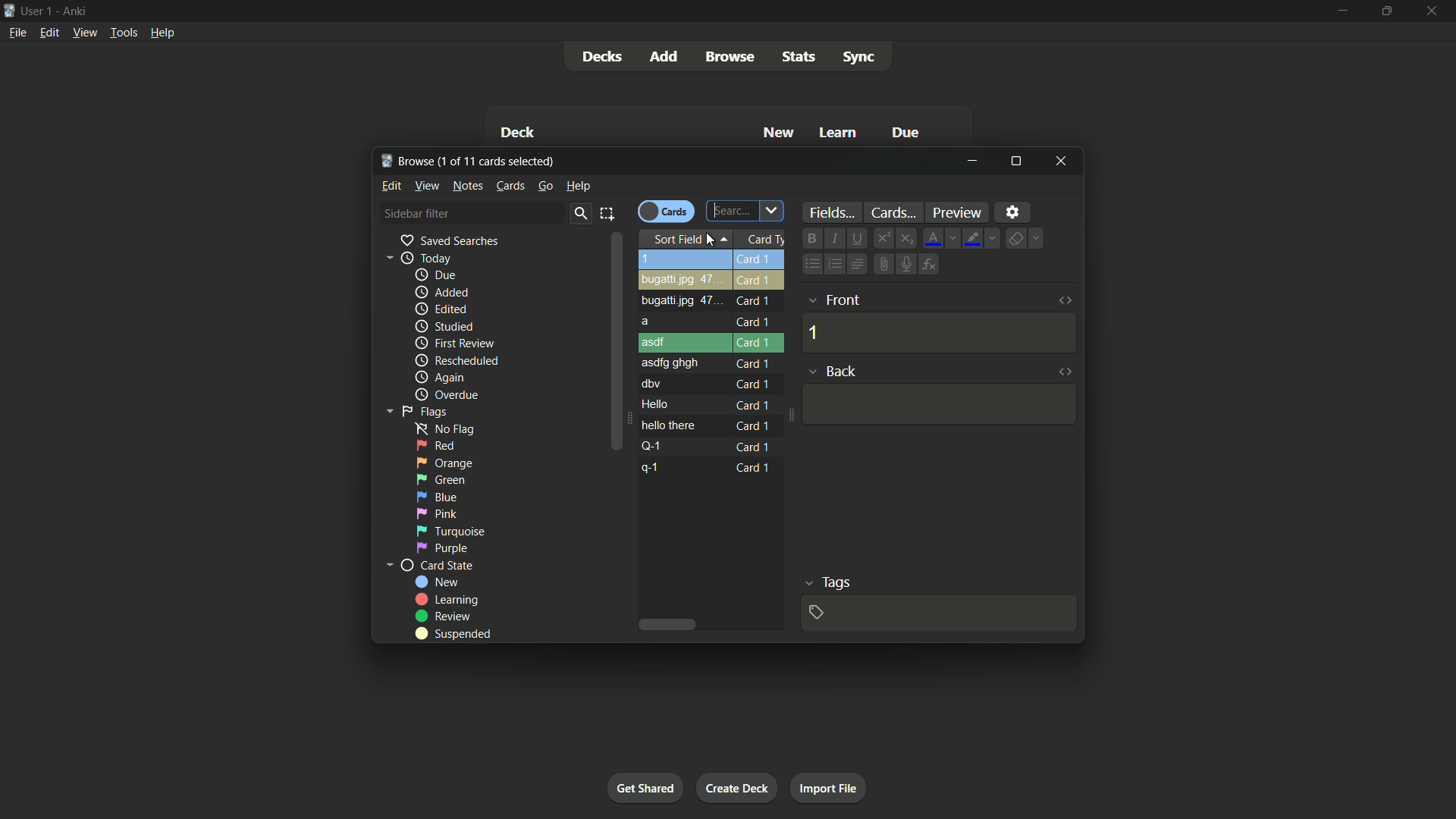 The width and height of the screenshot is (1456, 819). I want to click on app icon, so click(9, 10).